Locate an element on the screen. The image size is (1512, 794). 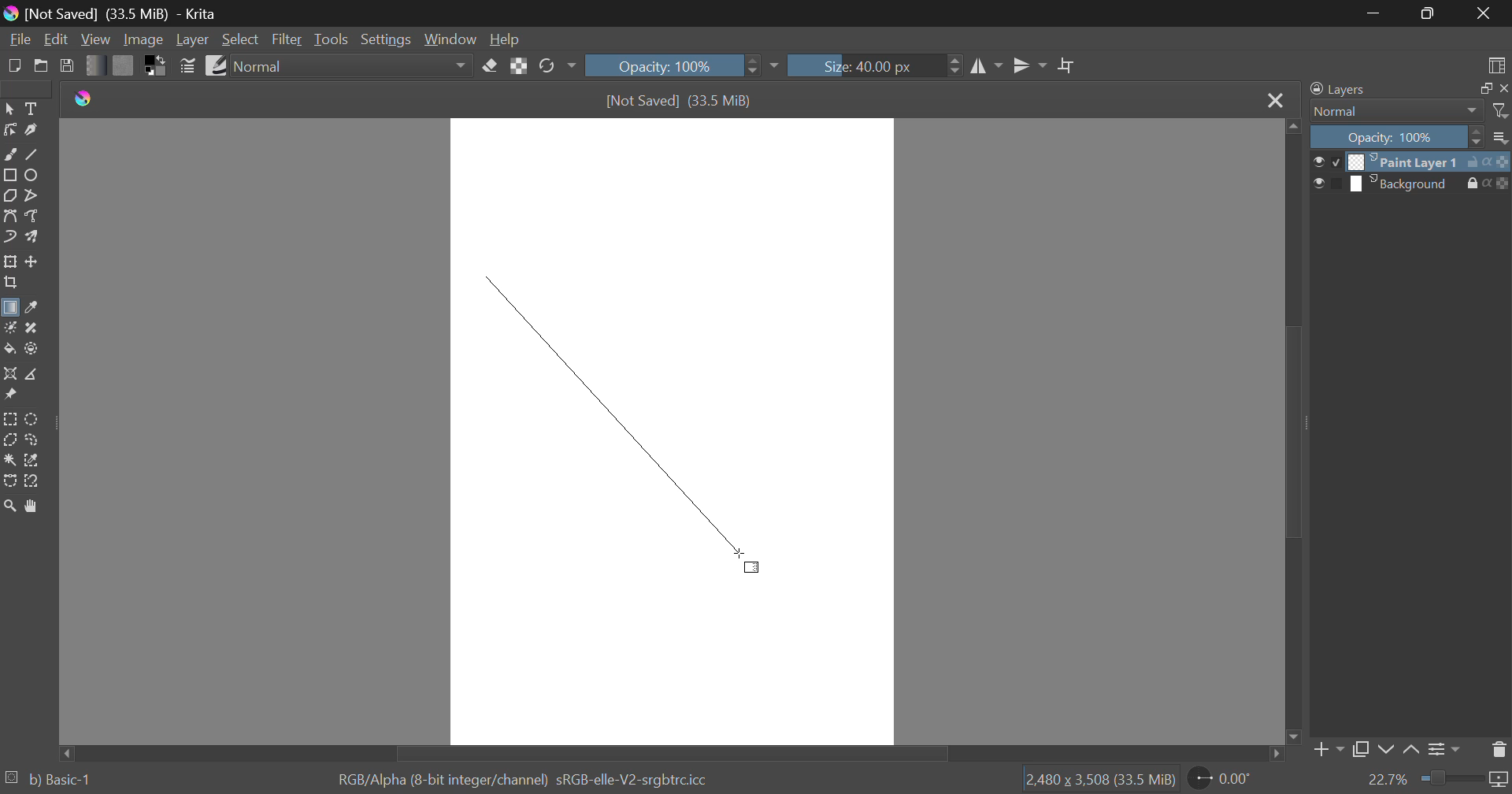
b) Basic-1 is located at coordinates (49, 781).